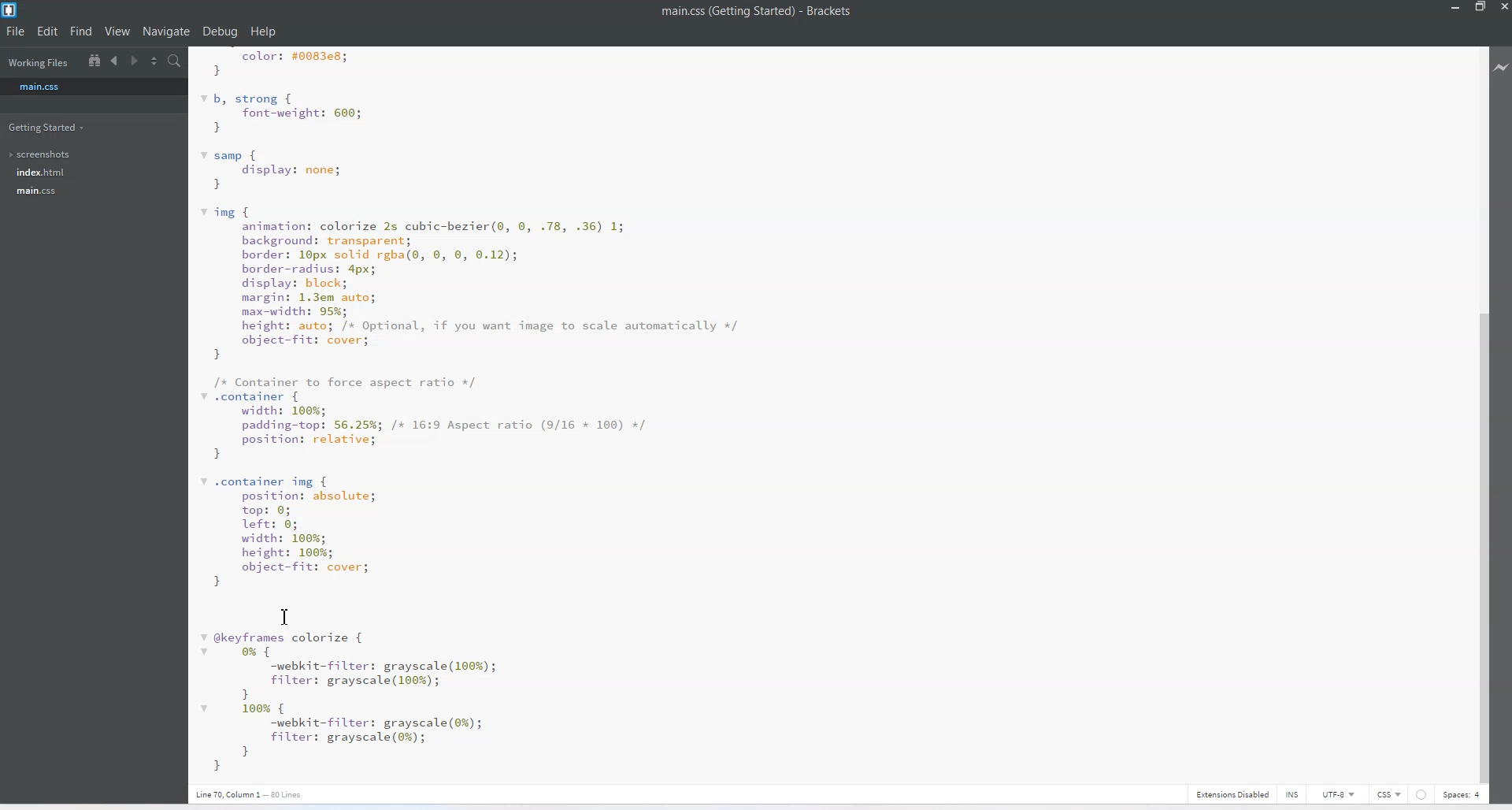  What do you see at coordinates (220, 32) in the screenshot?
I see `Debug` at bounding box center [220, 32].